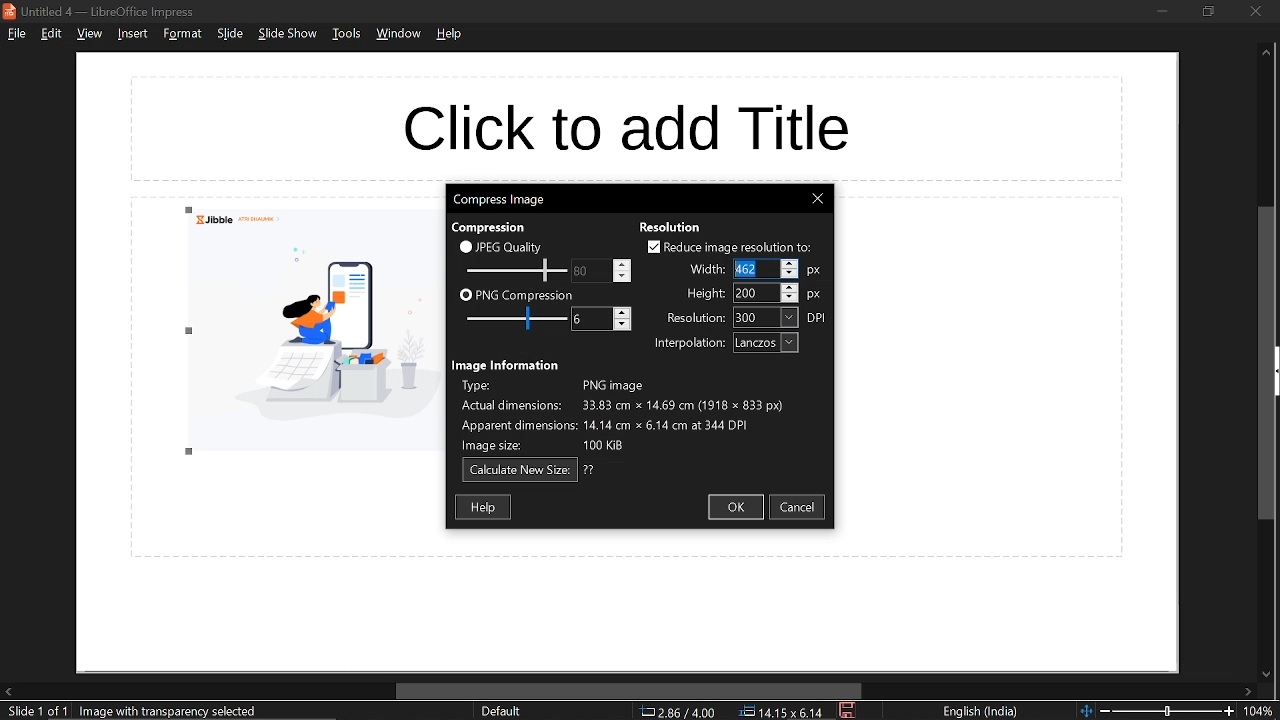  What do you see at coordinates (346, 33) in the screenshot?
I see `tools` at bounding box center [346, 33].